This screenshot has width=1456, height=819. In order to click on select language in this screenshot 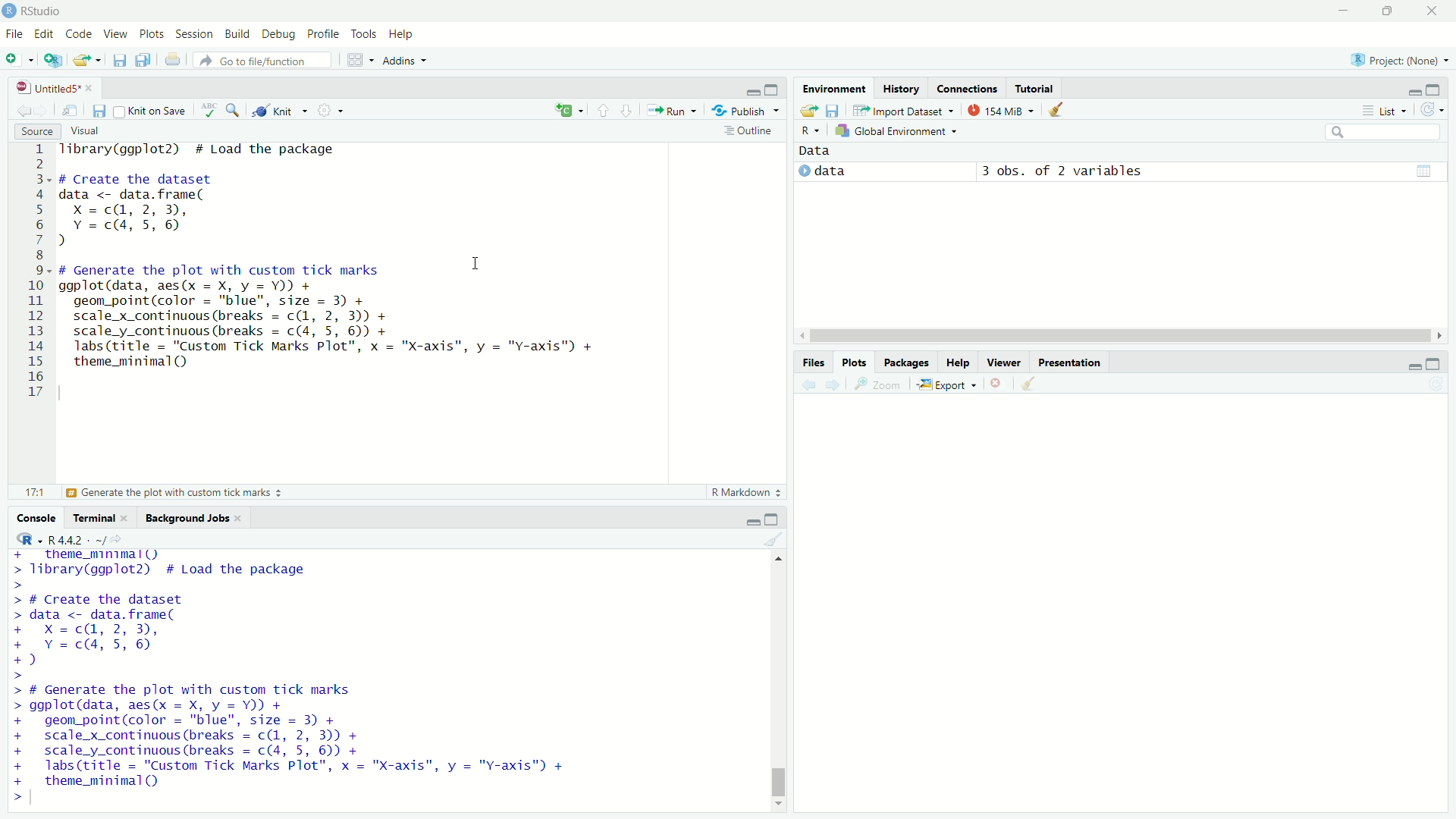, I will do `click(805, 131)`.